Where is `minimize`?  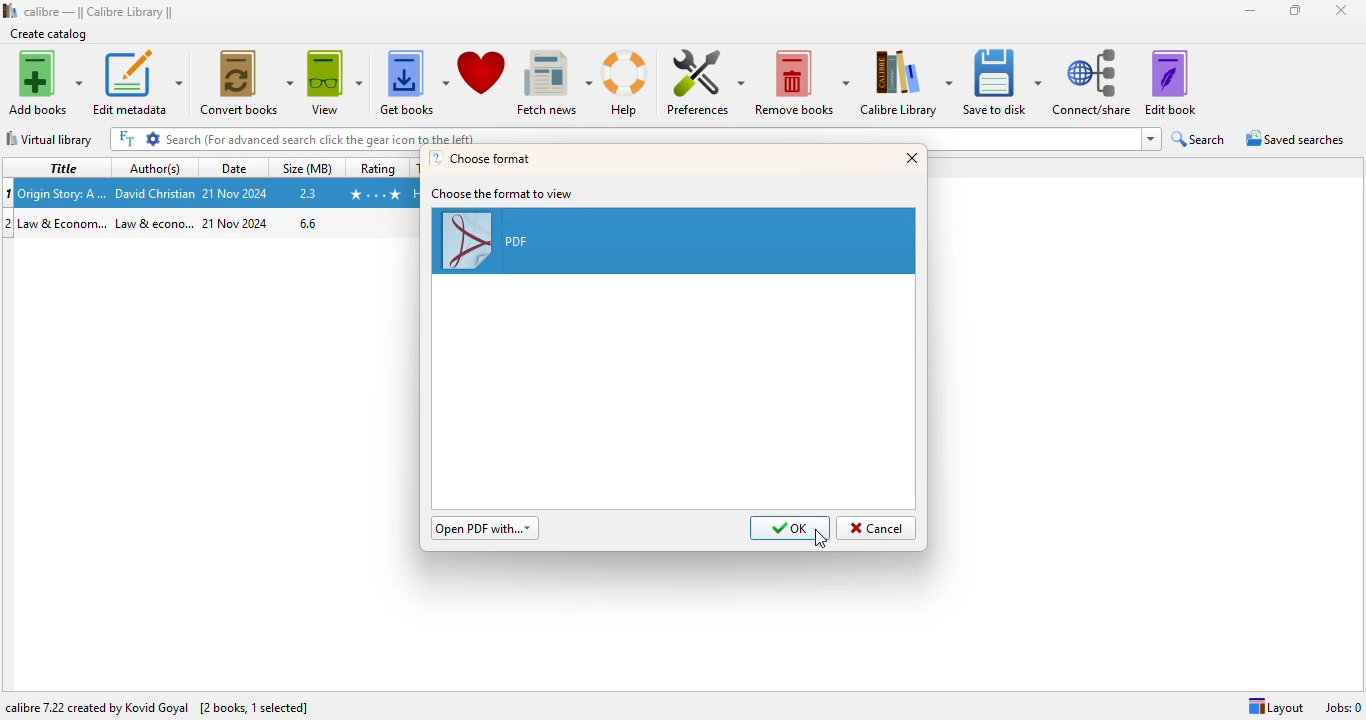 minimize is located at coordinates (1249, 11).